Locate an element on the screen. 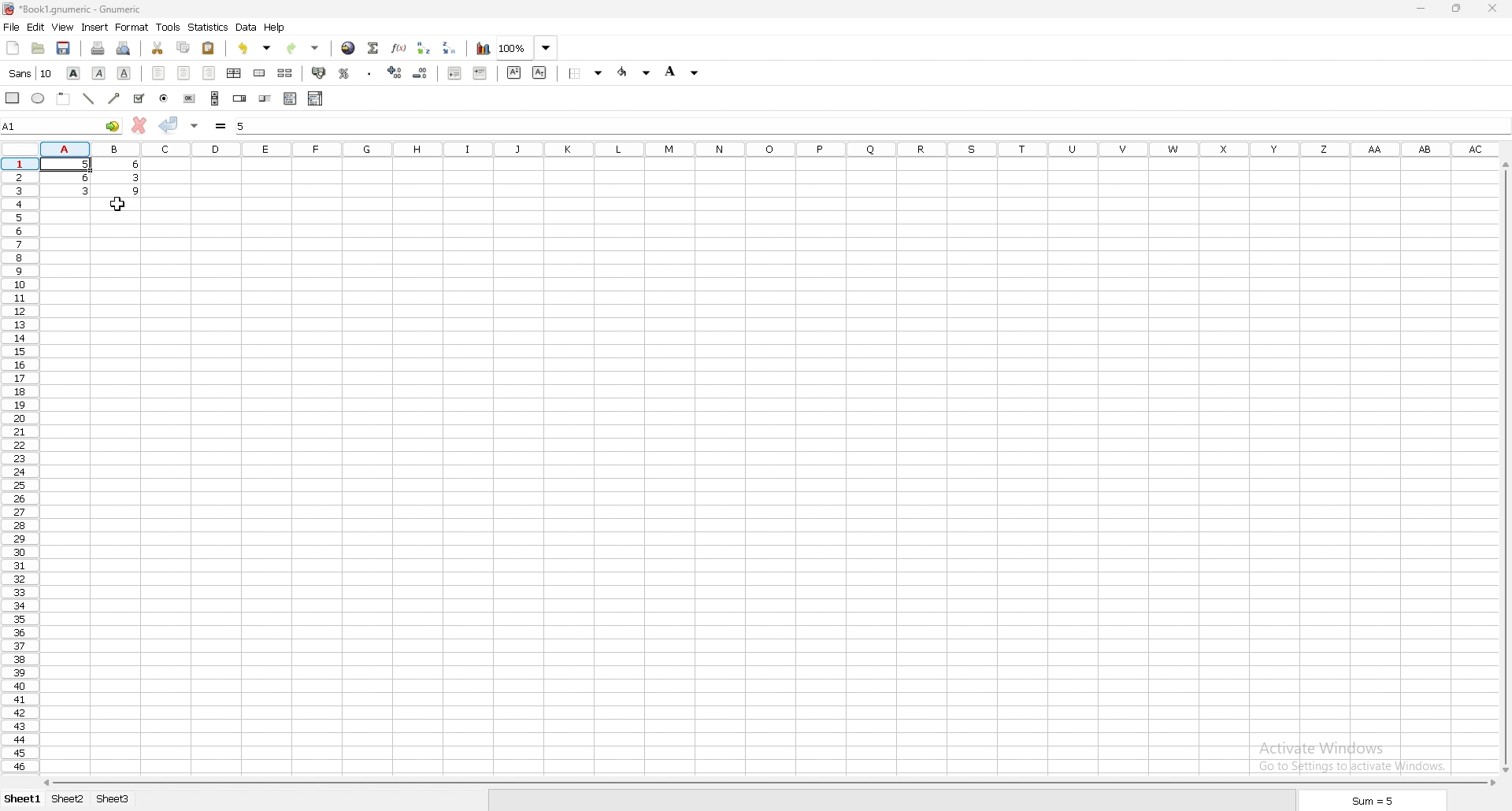 The height and width of the screenshot is (811, 1512). increase indent is located at coordinates (480, 73).